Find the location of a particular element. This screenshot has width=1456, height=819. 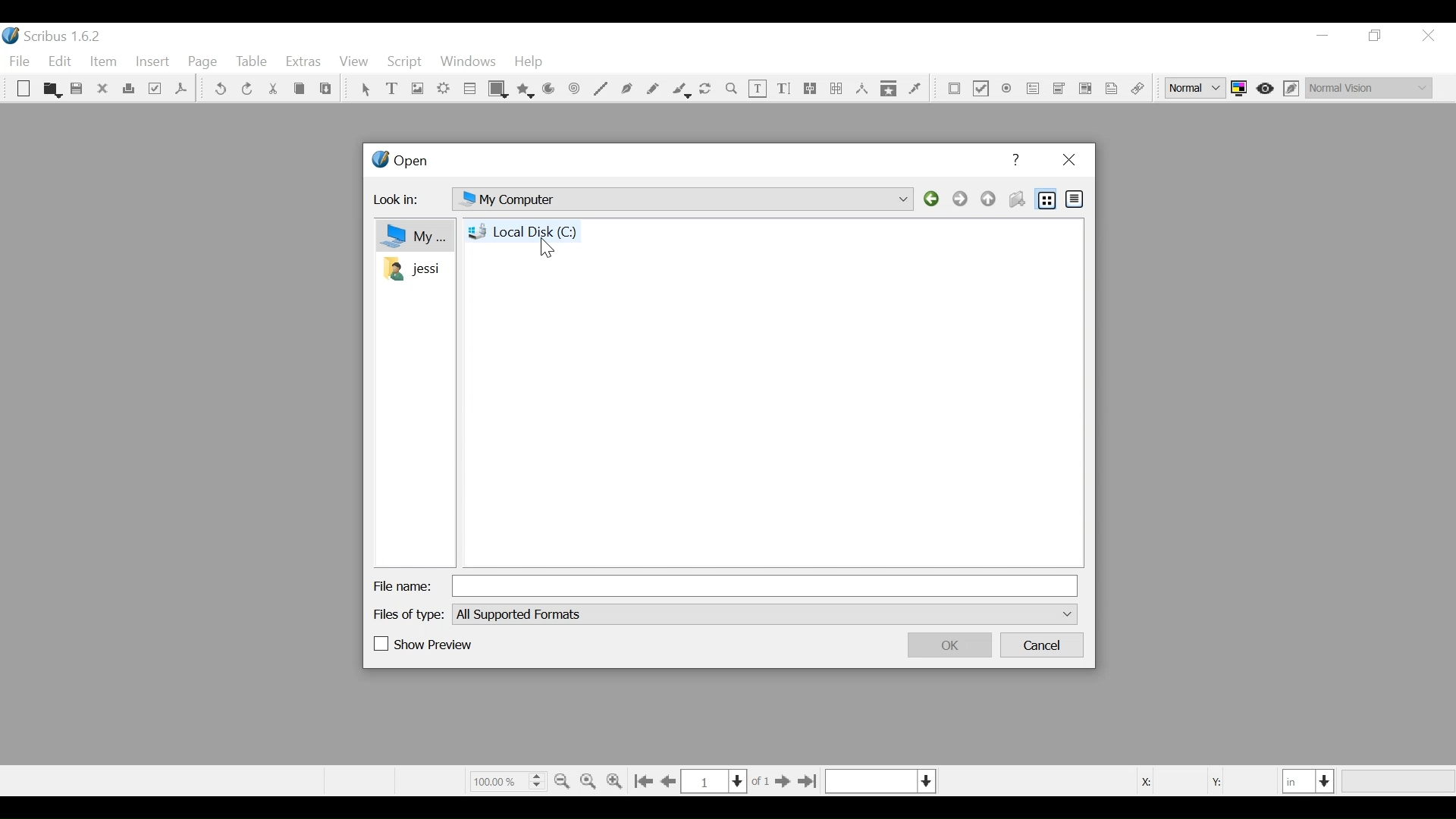

Coordinates is located at coordinates (1197, 780).